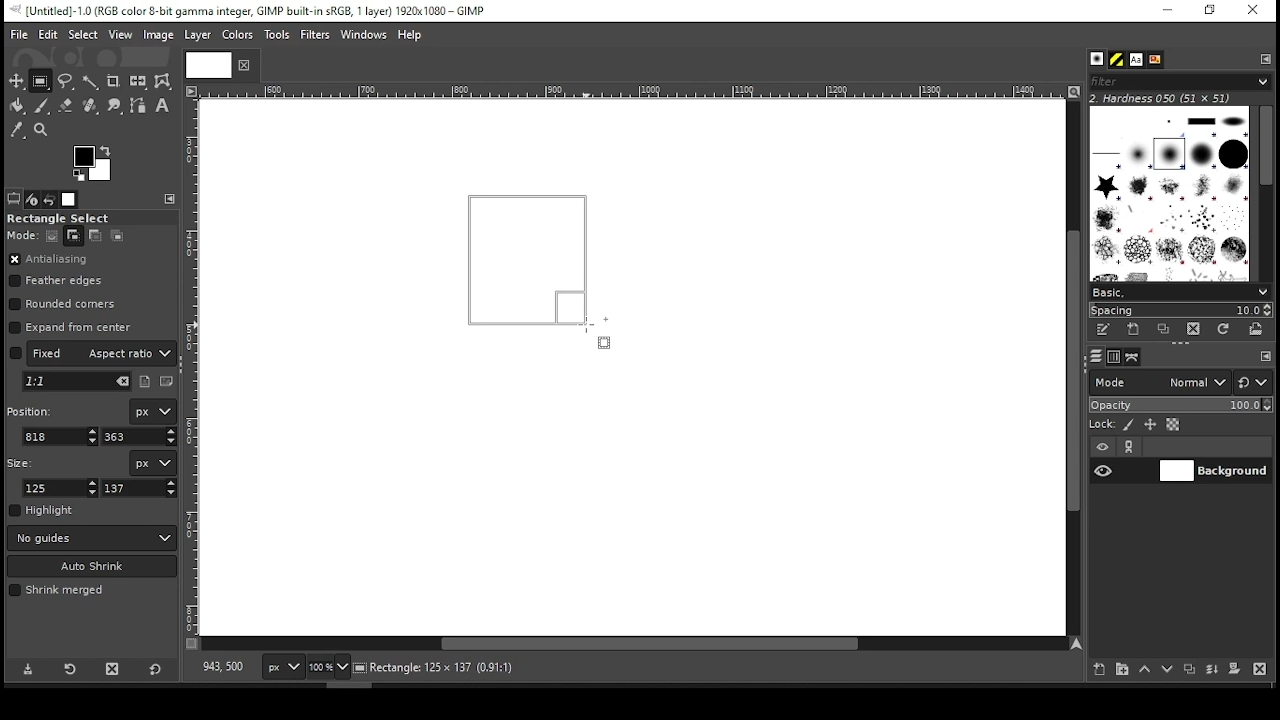 The width and height of the screenshot is (1280, 720). What do you see at coordinates (1104, 470) in the screenshot?
I see `layer visibility on/off` at bounding box center [1104, 470].